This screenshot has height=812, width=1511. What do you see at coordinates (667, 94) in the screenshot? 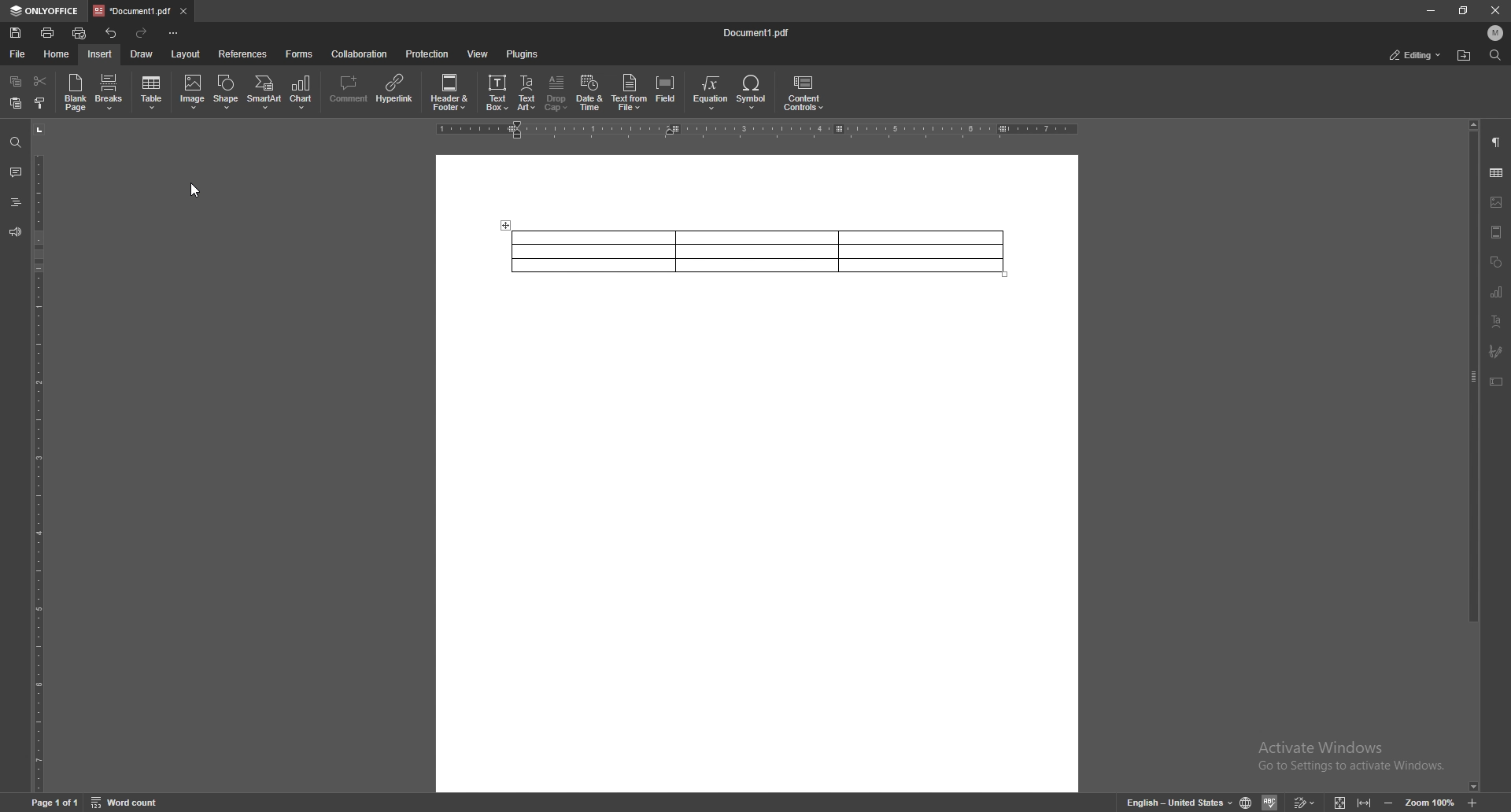
I see `field` at bounding box center [667, 94].